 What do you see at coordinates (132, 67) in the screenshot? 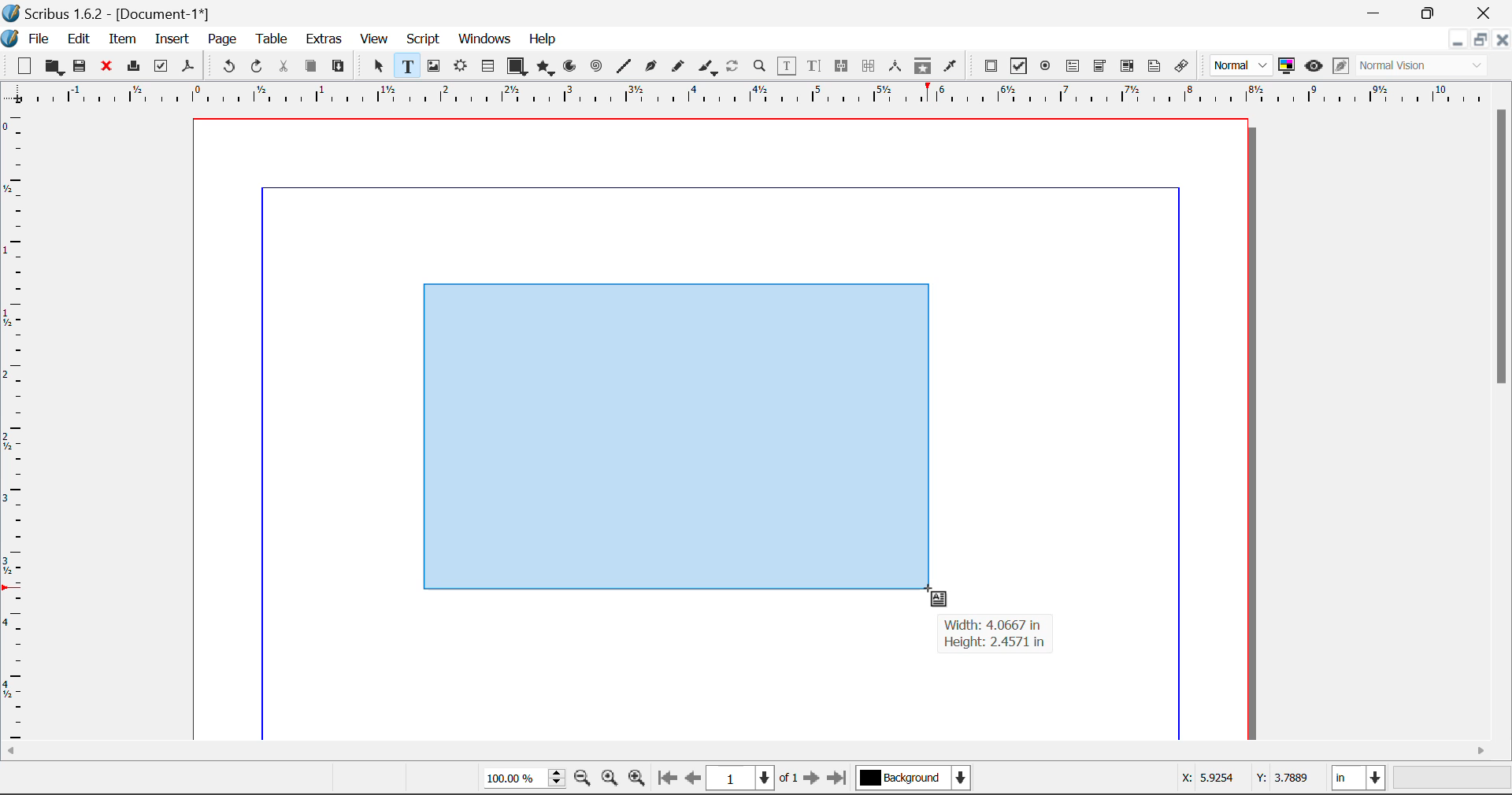
I see `Print` at bounding box center [132, 67].